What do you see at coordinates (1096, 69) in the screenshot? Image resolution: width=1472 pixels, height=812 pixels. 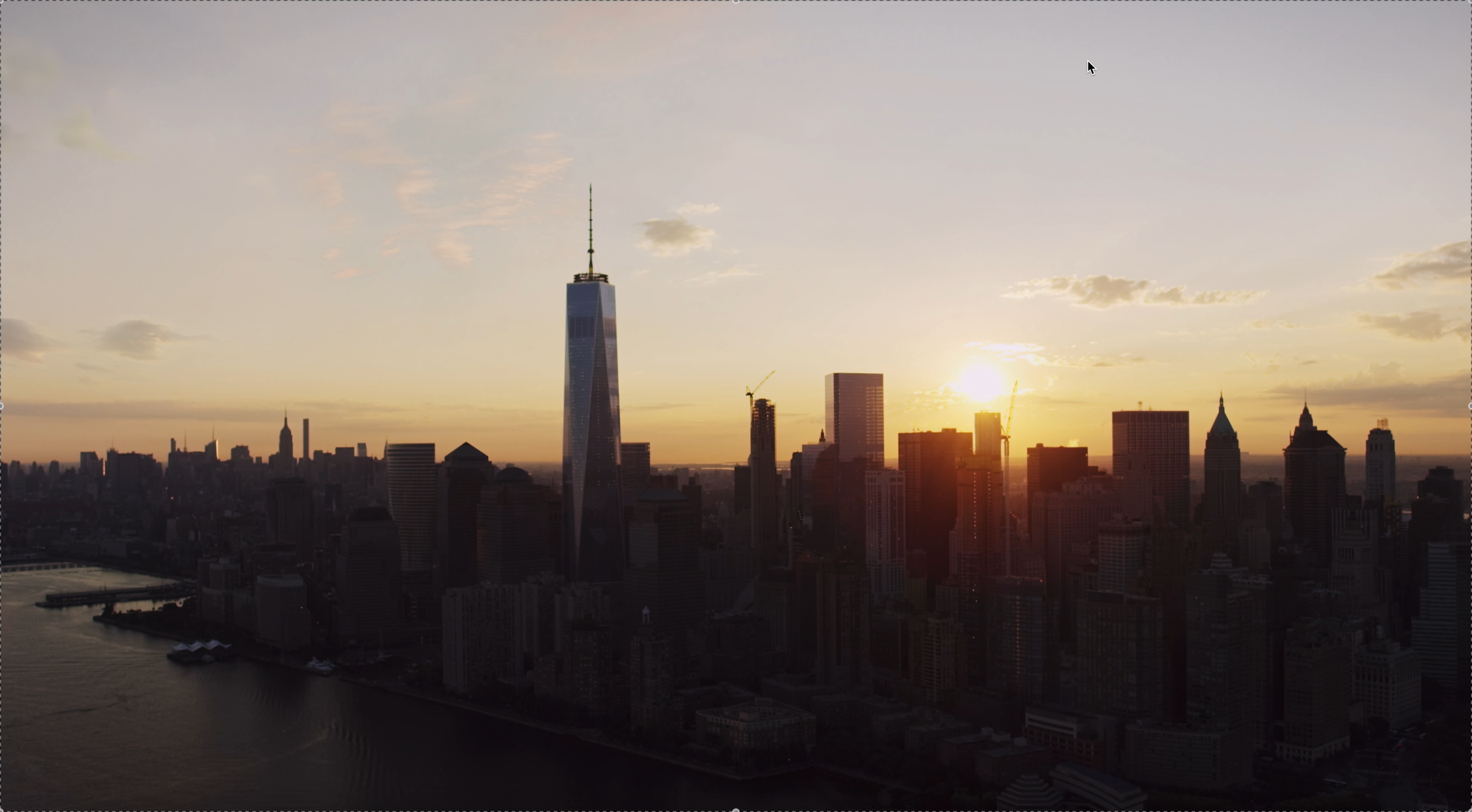 I see `cursor` at bounding box center [1096, 69].